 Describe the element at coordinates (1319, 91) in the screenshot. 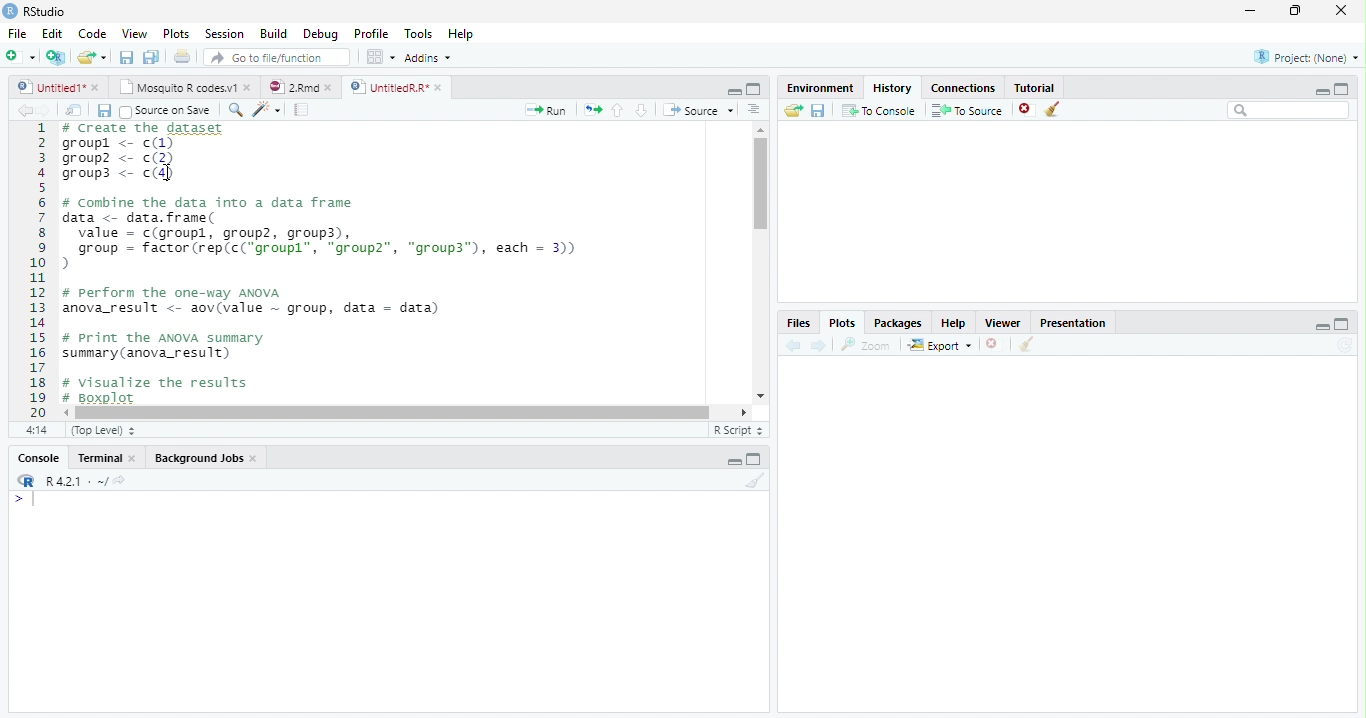

I see `Minimize` at that location.